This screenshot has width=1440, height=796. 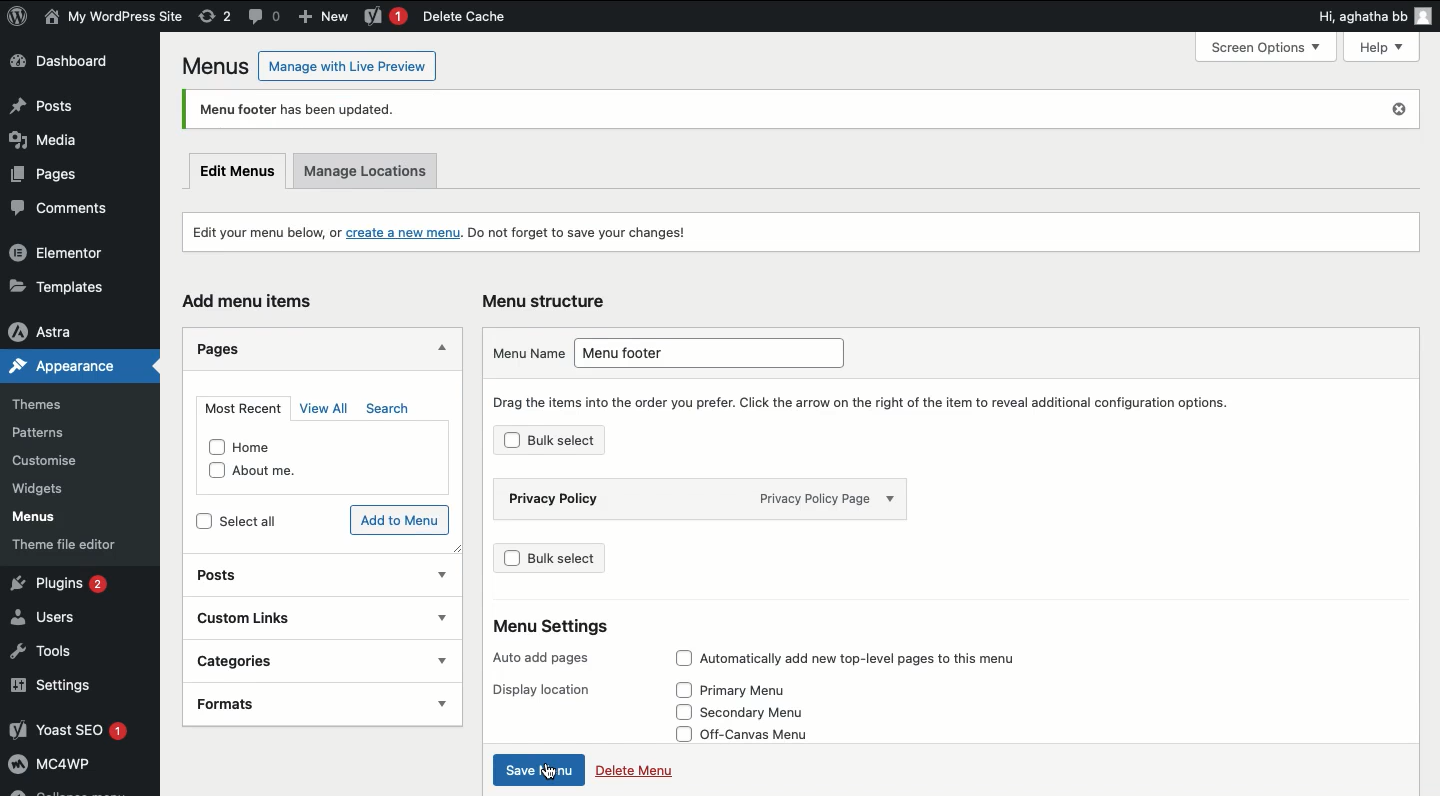 I want to click on Screen Options , so click(x=1274, y=47).